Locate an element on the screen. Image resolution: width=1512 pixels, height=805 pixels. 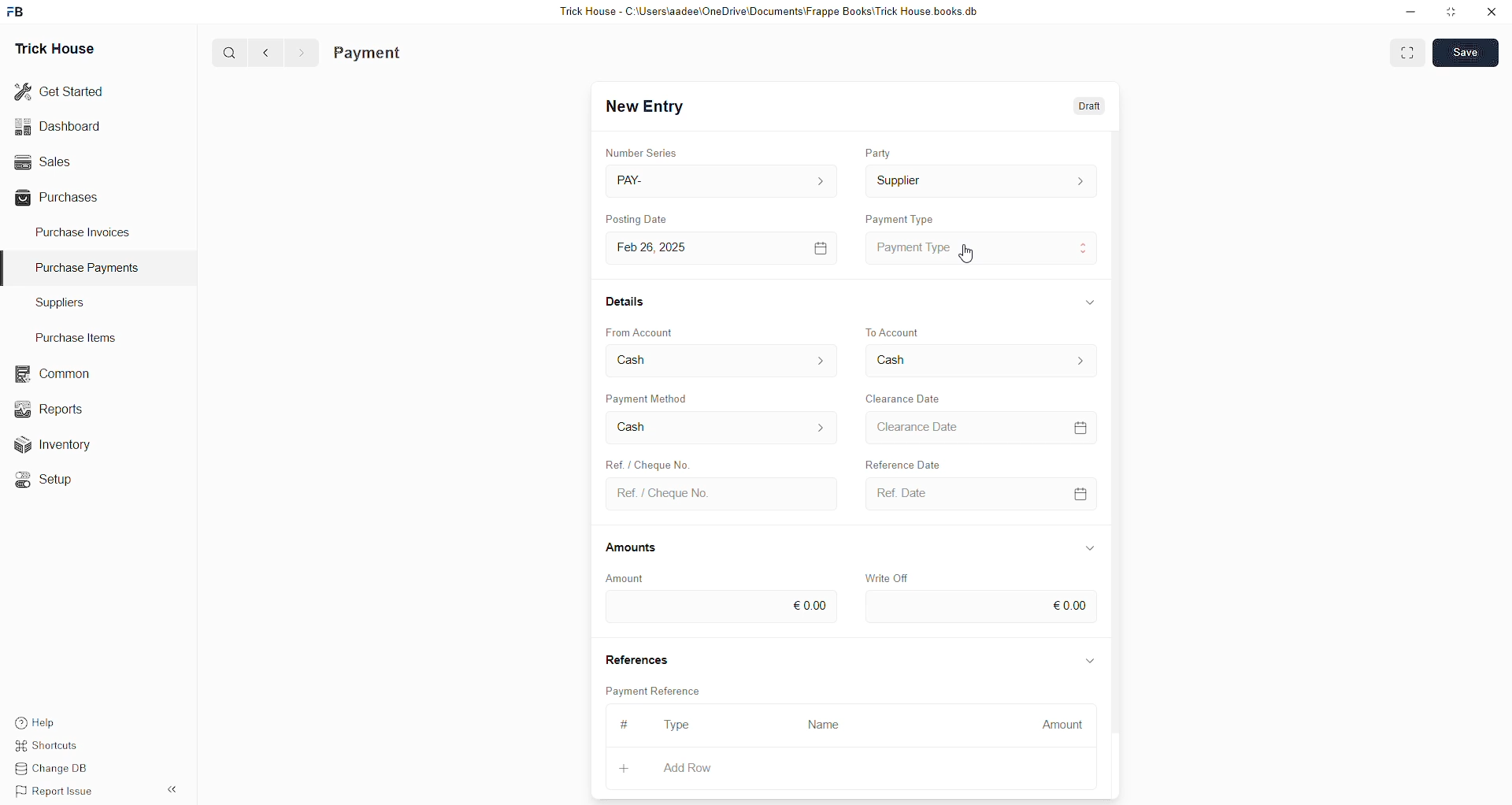
Posting Date is located at coordinates (648, 217).